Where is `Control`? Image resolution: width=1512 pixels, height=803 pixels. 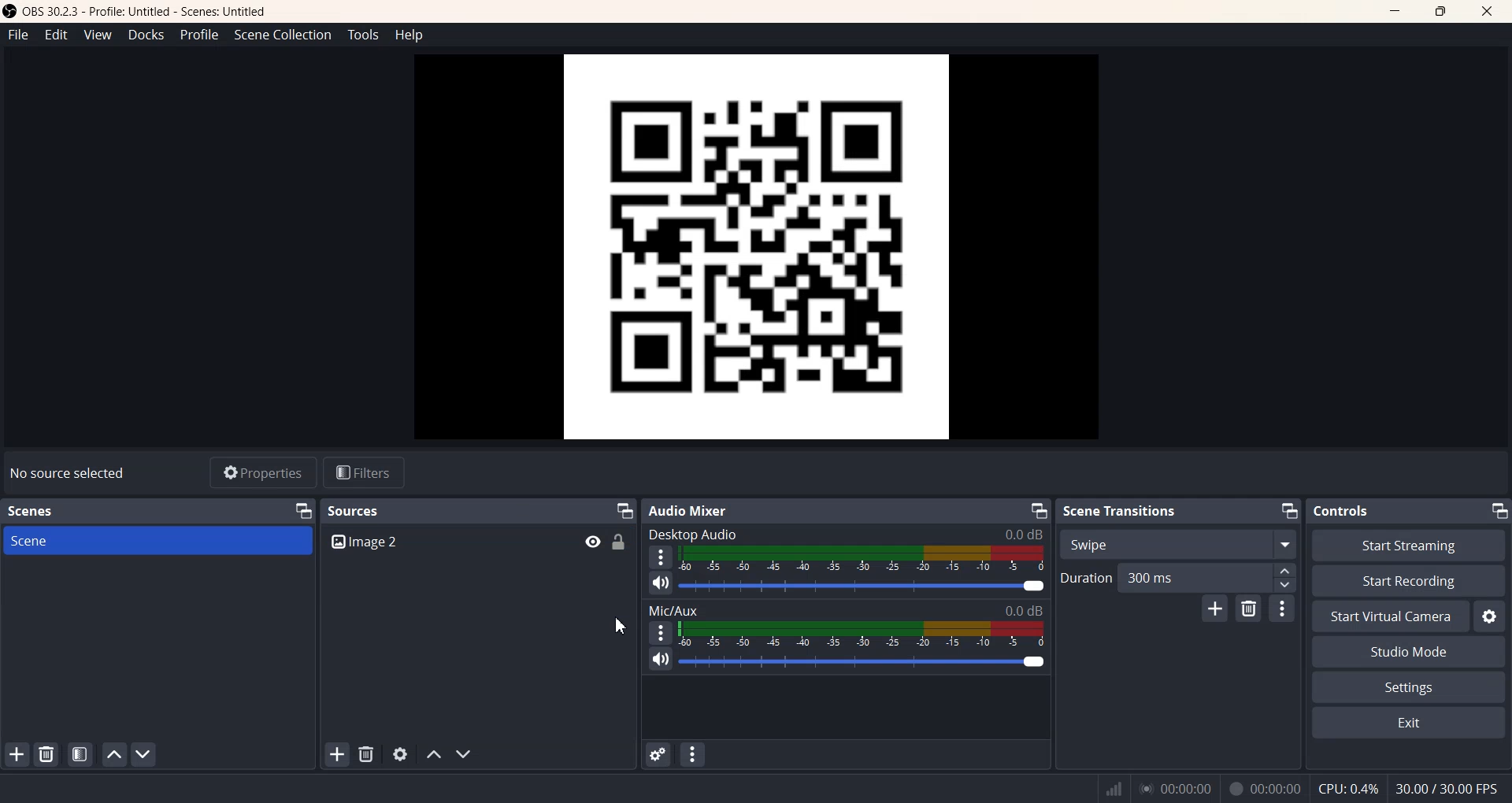 Control is located at coordinates (1346, 512).